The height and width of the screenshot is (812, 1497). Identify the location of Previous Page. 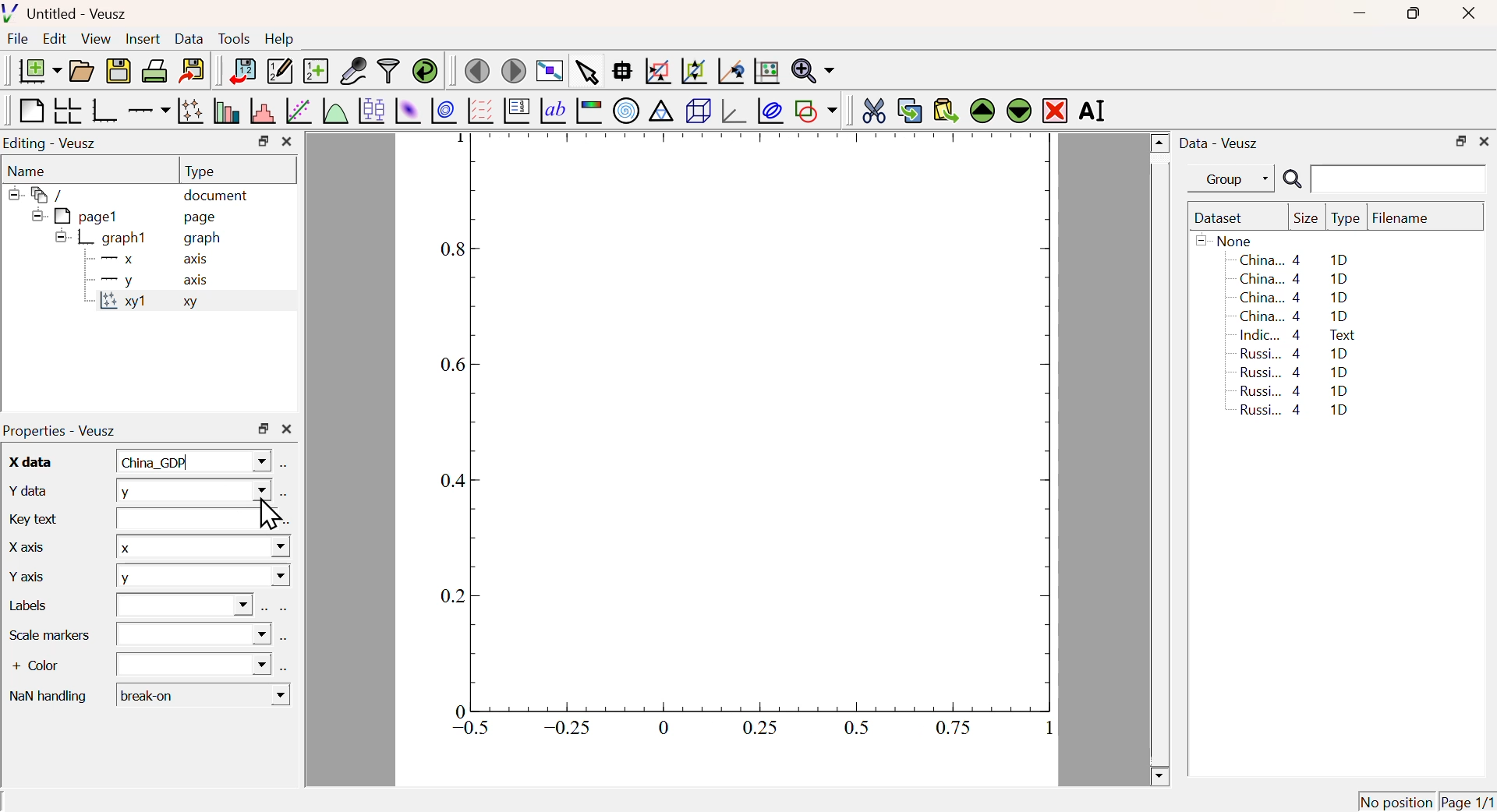
(478, 72).